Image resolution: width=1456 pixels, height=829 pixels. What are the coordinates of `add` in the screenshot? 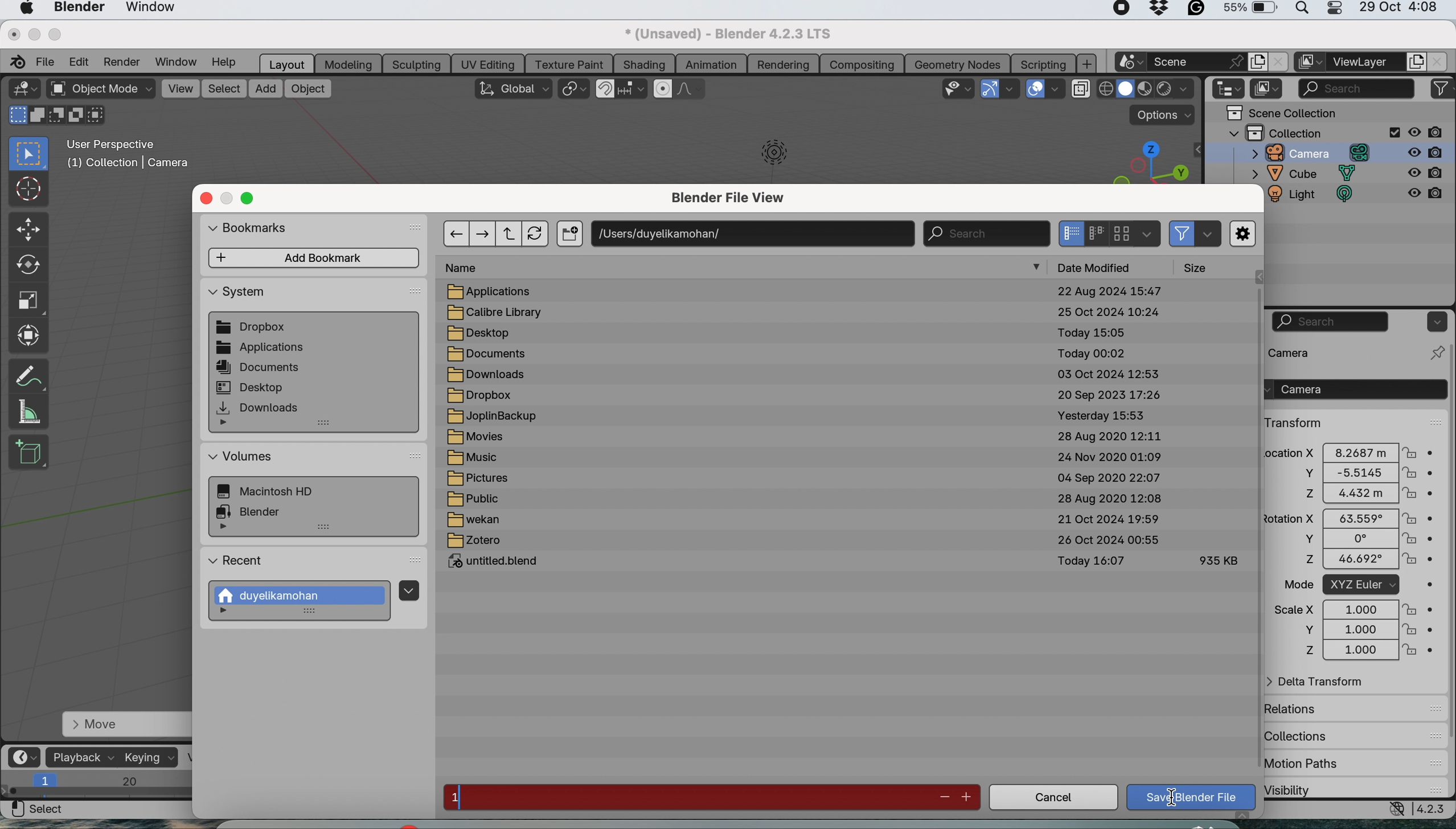 It's located at (266, 89).